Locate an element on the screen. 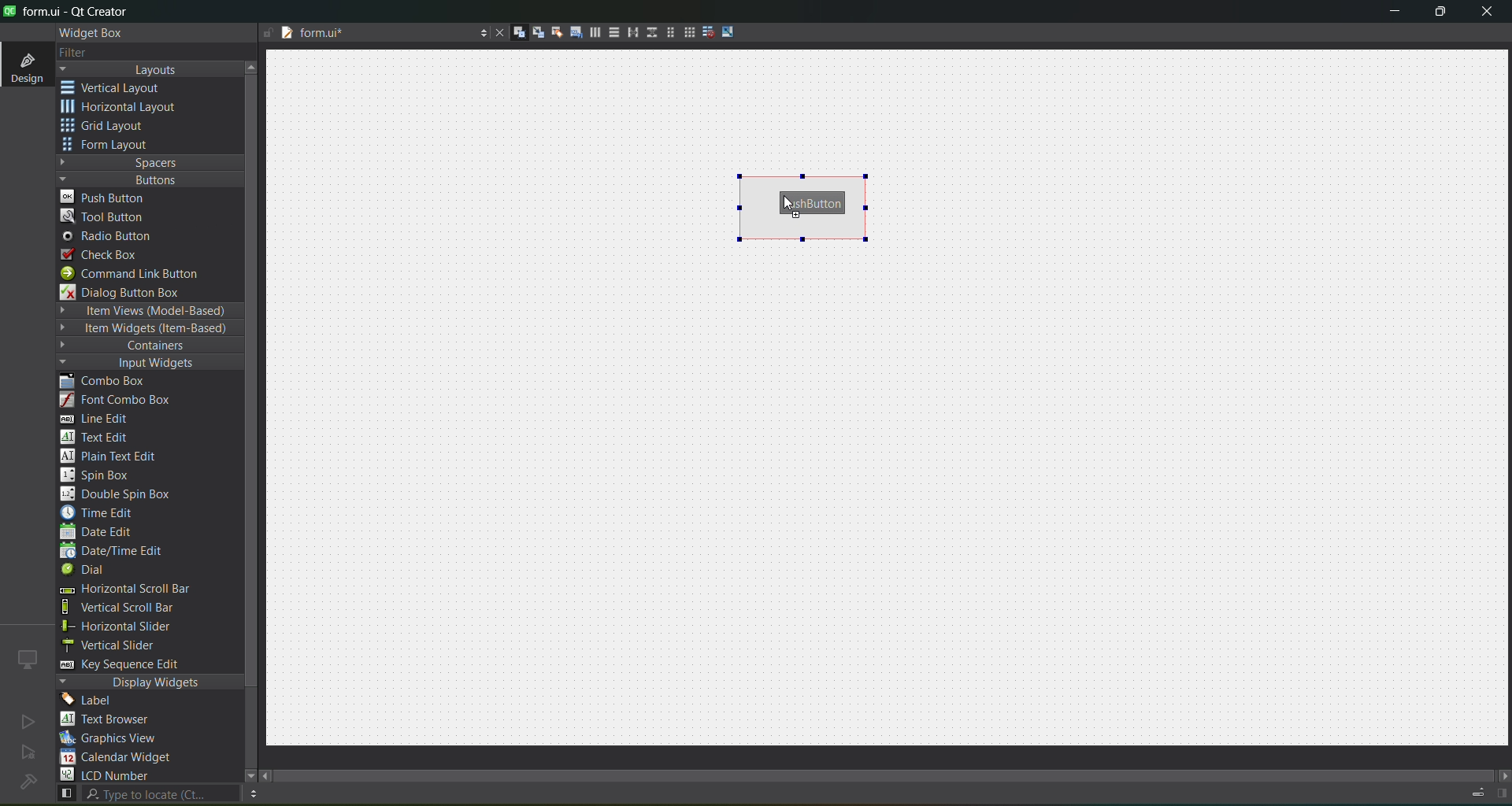 This screenshot has height=806, width=1512. file is writable is located at coordinates (268, 34).